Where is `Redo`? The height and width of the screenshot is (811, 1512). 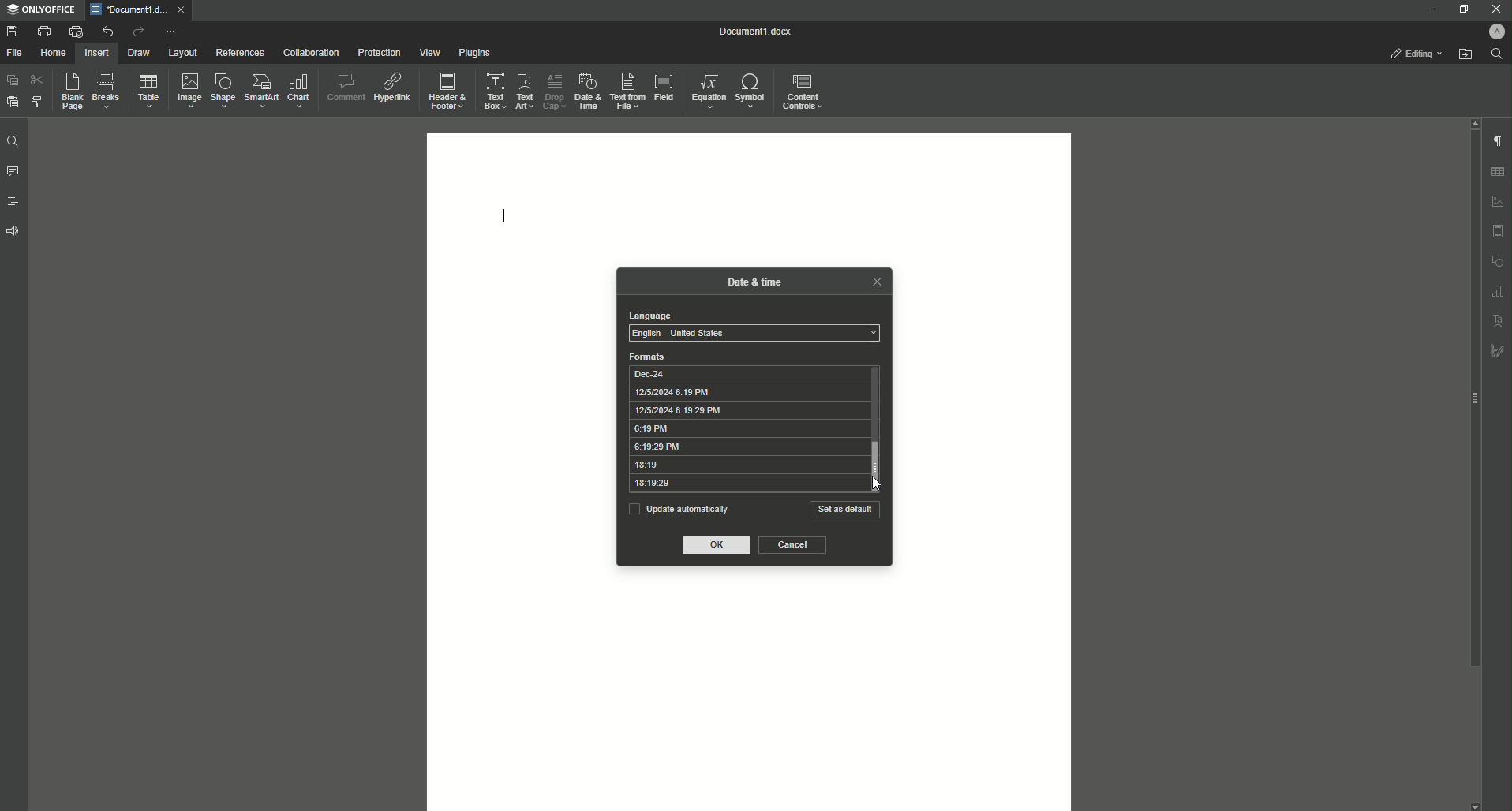 Redo is located at coordinates (136, 32).